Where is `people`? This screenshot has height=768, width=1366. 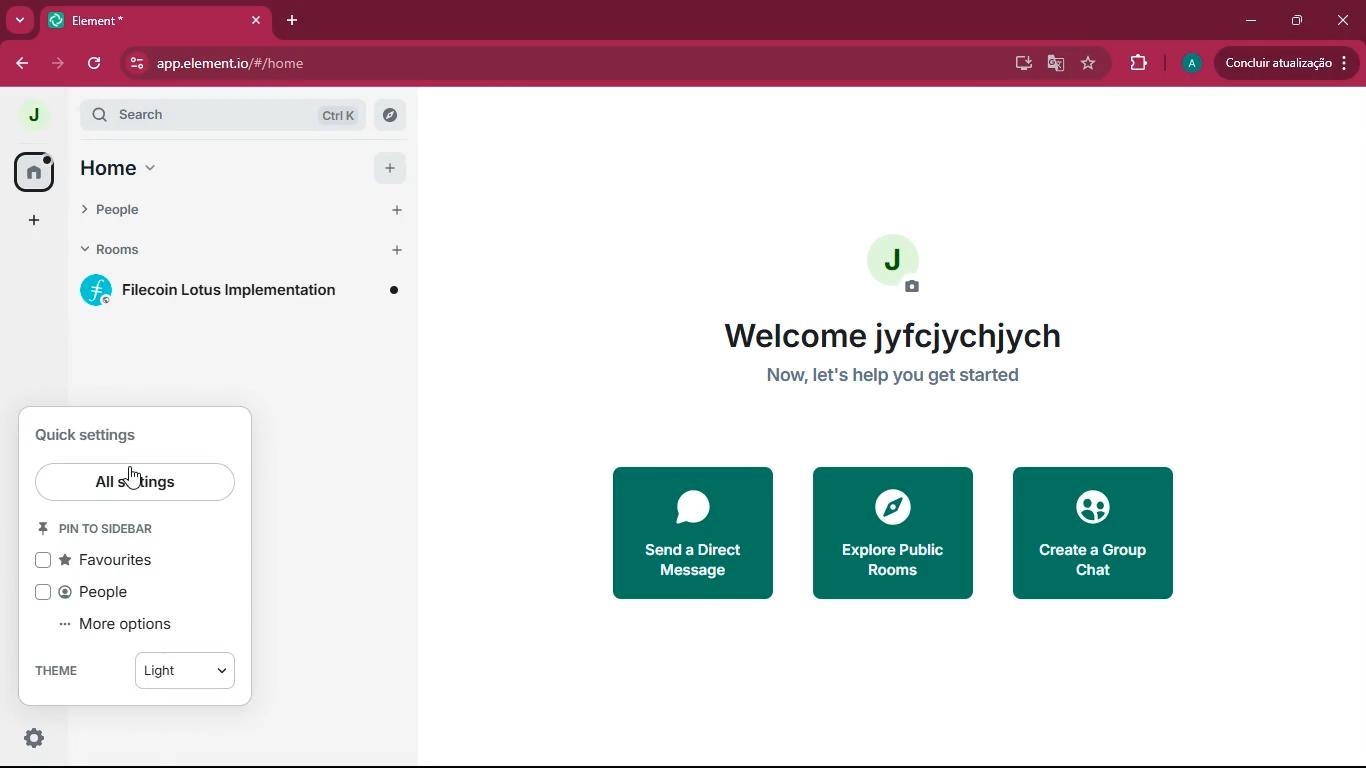 people is located at coordinates (242, 209).